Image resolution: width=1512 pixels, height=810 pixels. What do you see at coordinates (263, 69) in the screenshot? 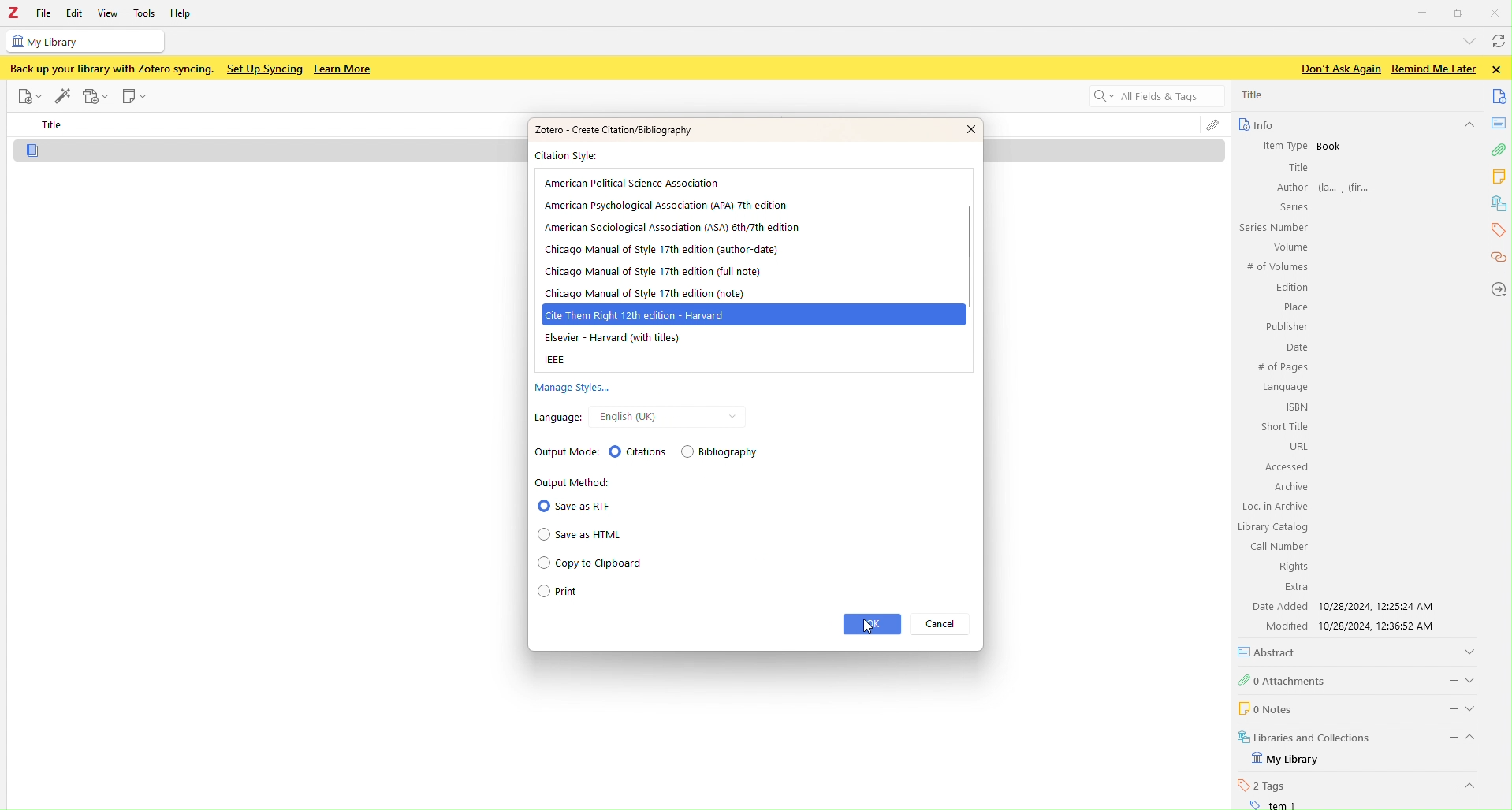
I see `Set Up Syncing` at bounding box center [263, 69].